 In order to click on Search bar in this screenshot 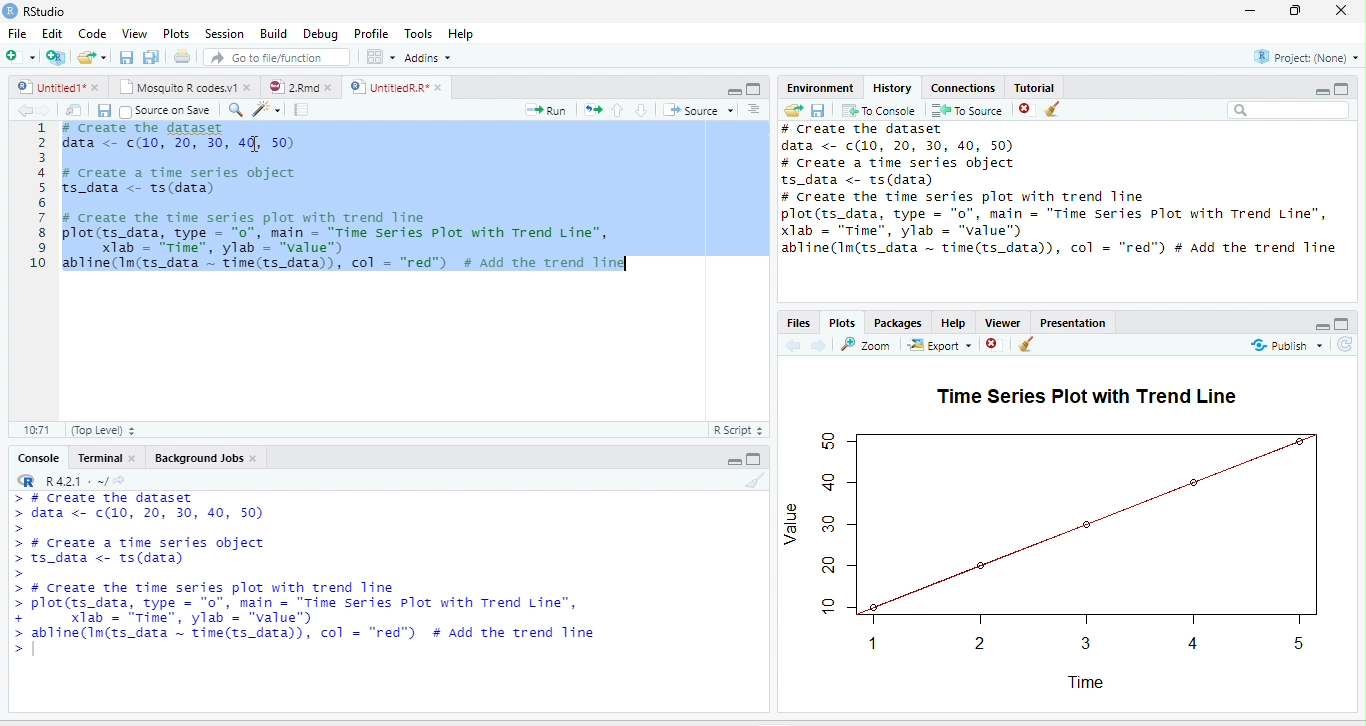, I will do `click(1288, 110)`.